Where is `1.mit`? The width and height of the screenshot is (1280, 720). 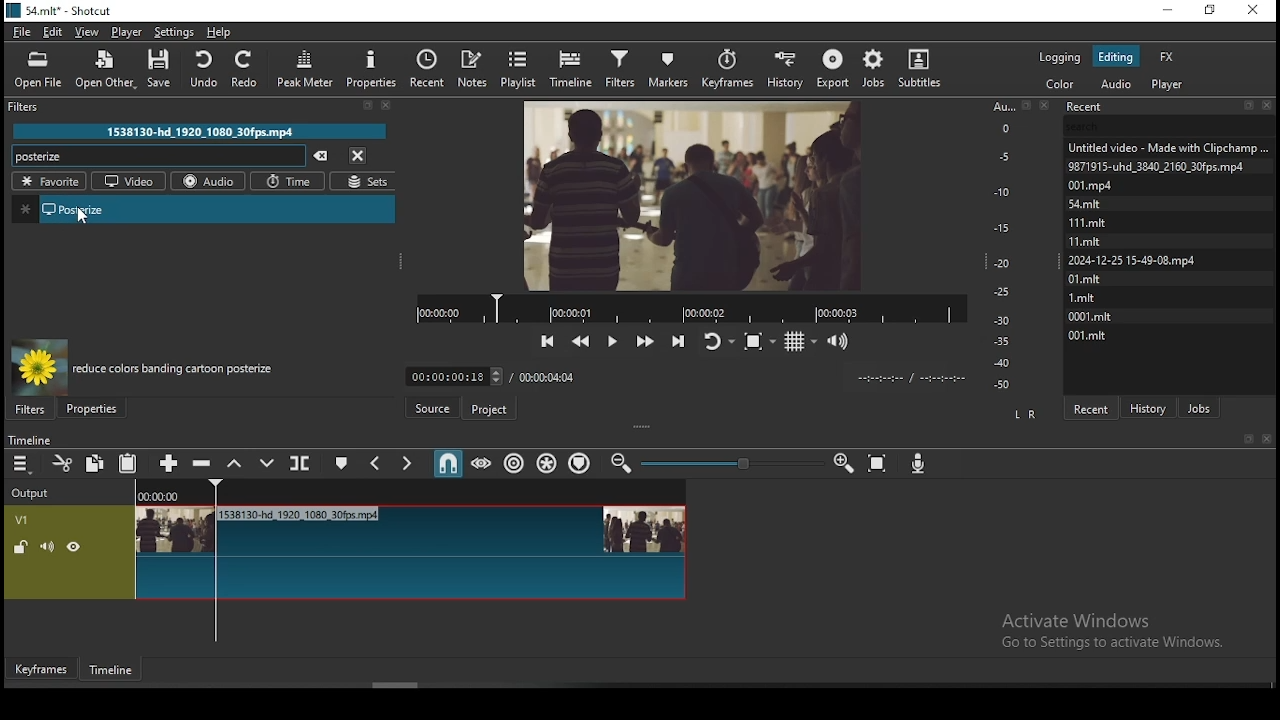
1.mit is located at coordinates (1081, 296).